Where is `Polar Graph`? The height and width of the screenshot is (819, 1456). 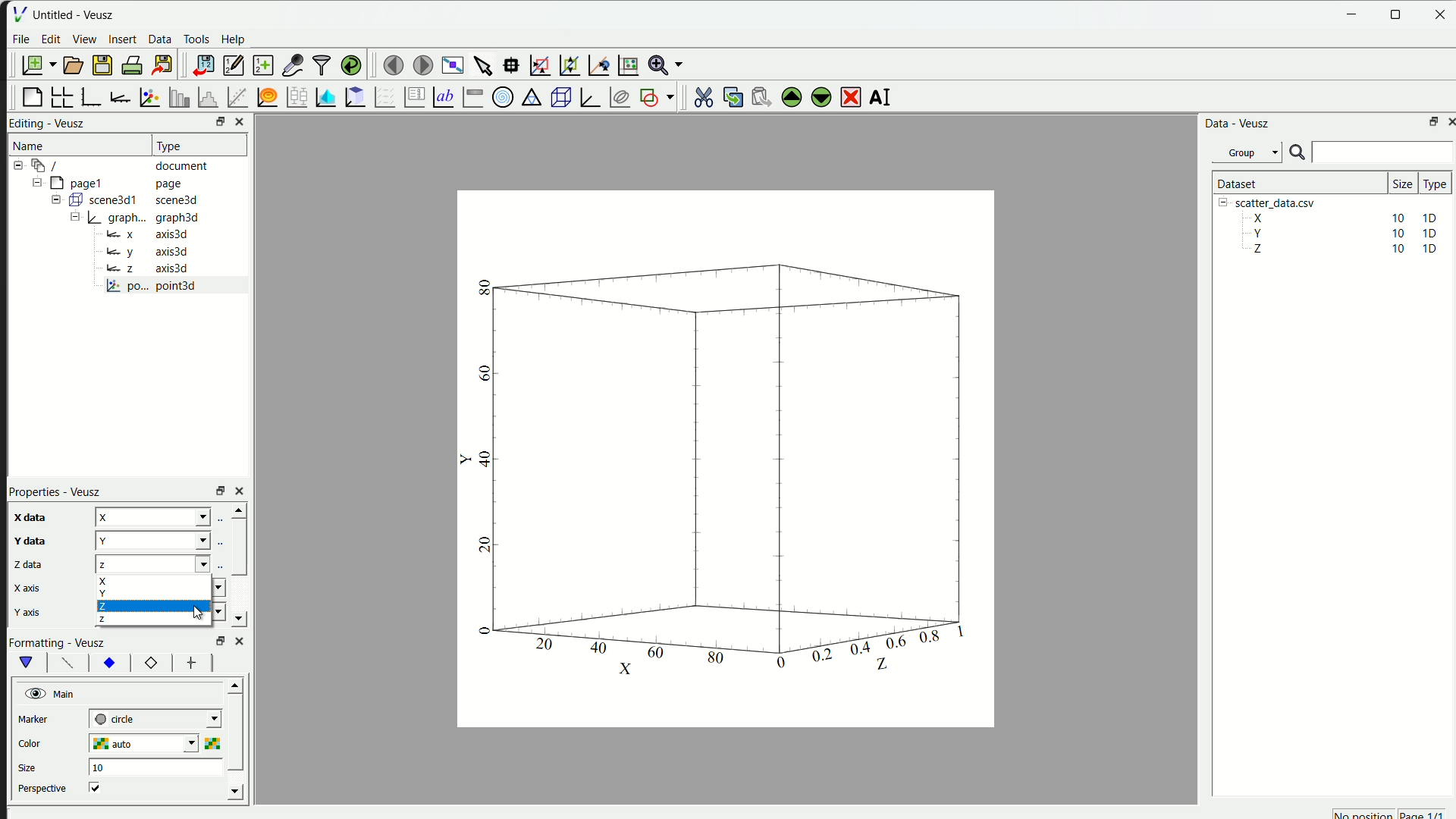
Polar Graph is located at coordinates (501, 97).